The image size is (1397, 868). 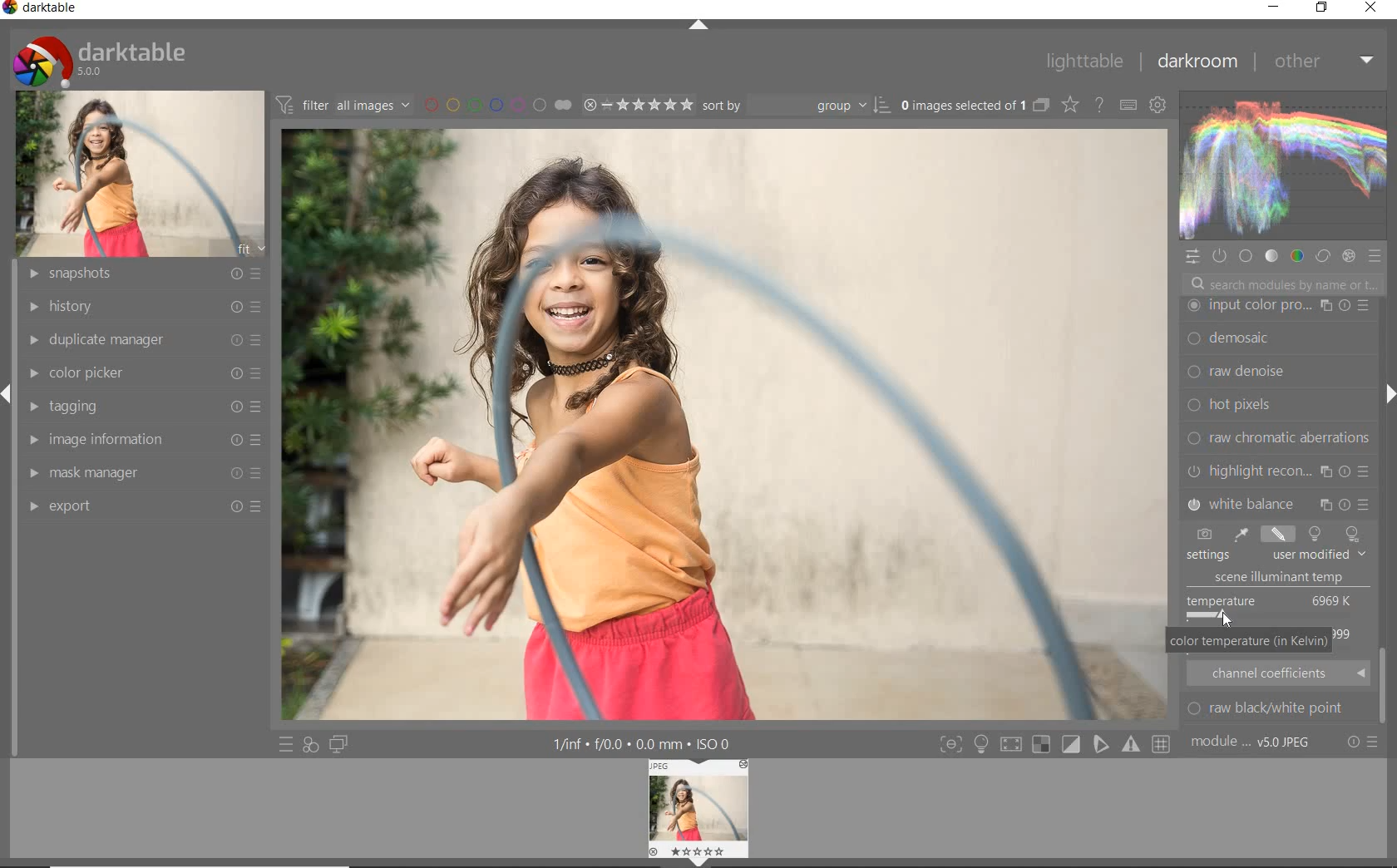 What do you see at coordinates (1248, 643) in the screenshot?
I see `COLOR TEMPERATURE (IN kELVIN)` at bounding box center [1248, 643].